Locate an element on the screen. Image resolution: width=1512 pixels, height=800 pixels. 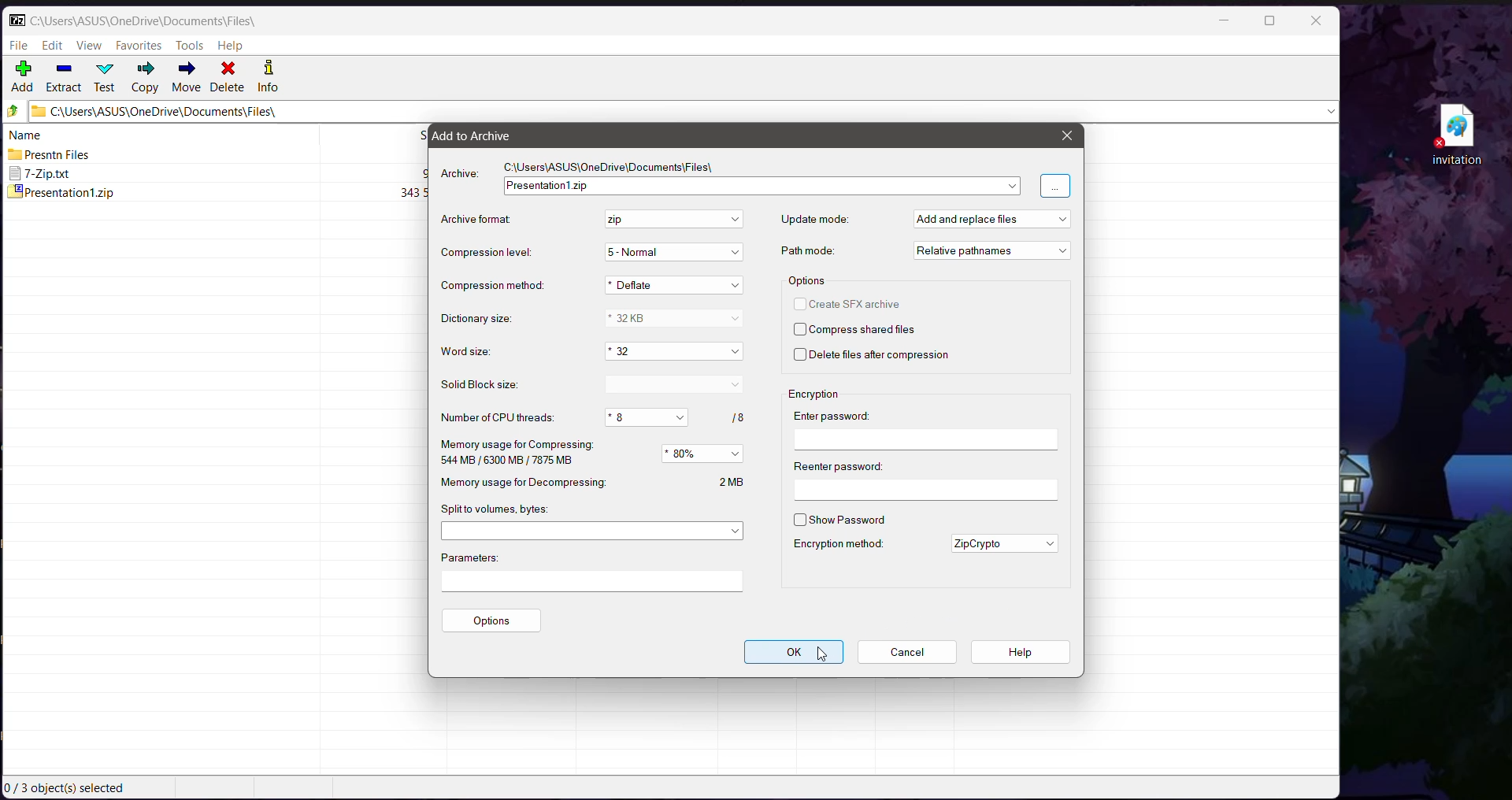
Enter password is located at coordinates (925, 428).